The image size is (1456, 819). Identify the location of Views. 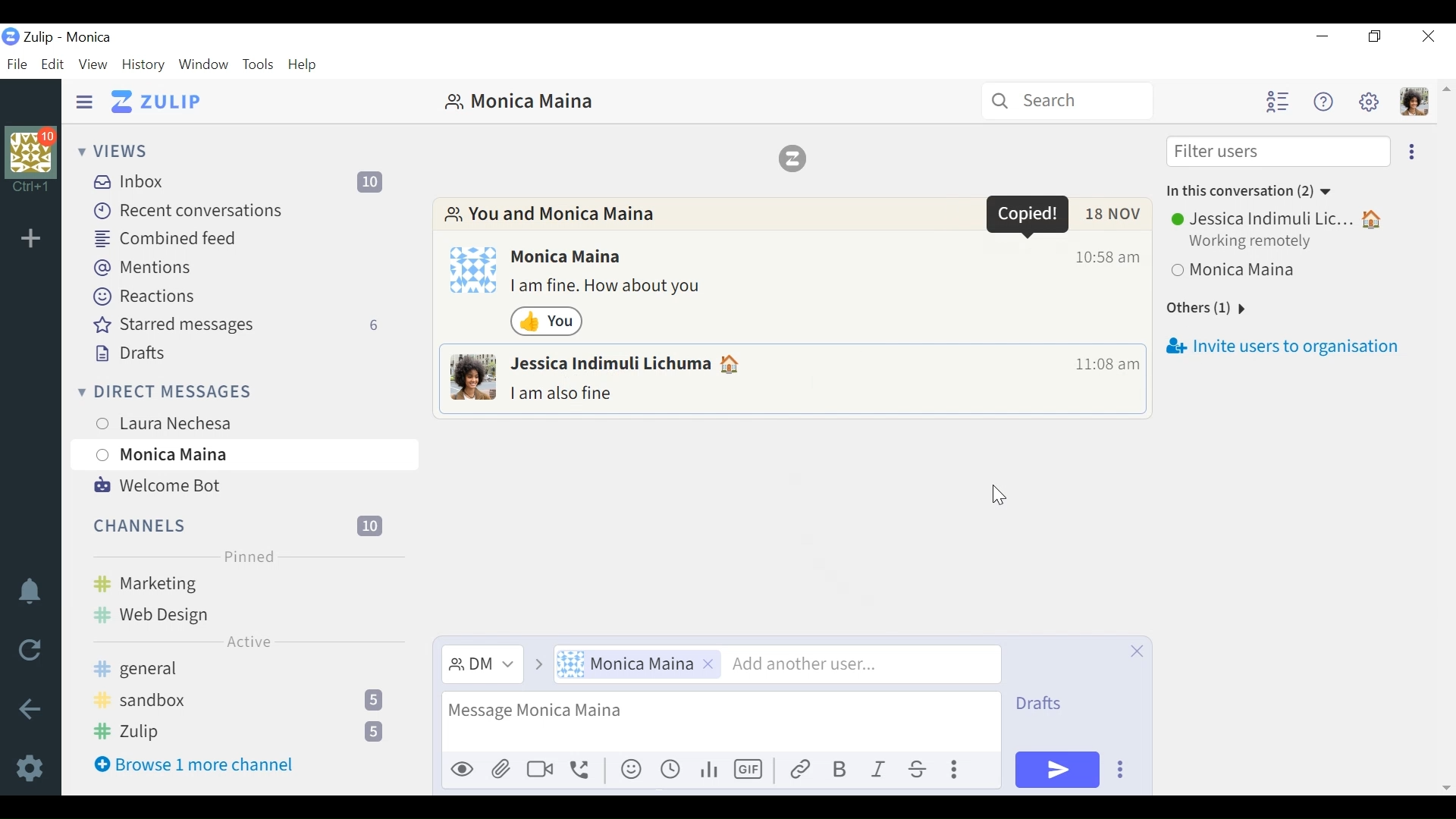
(116, 152).